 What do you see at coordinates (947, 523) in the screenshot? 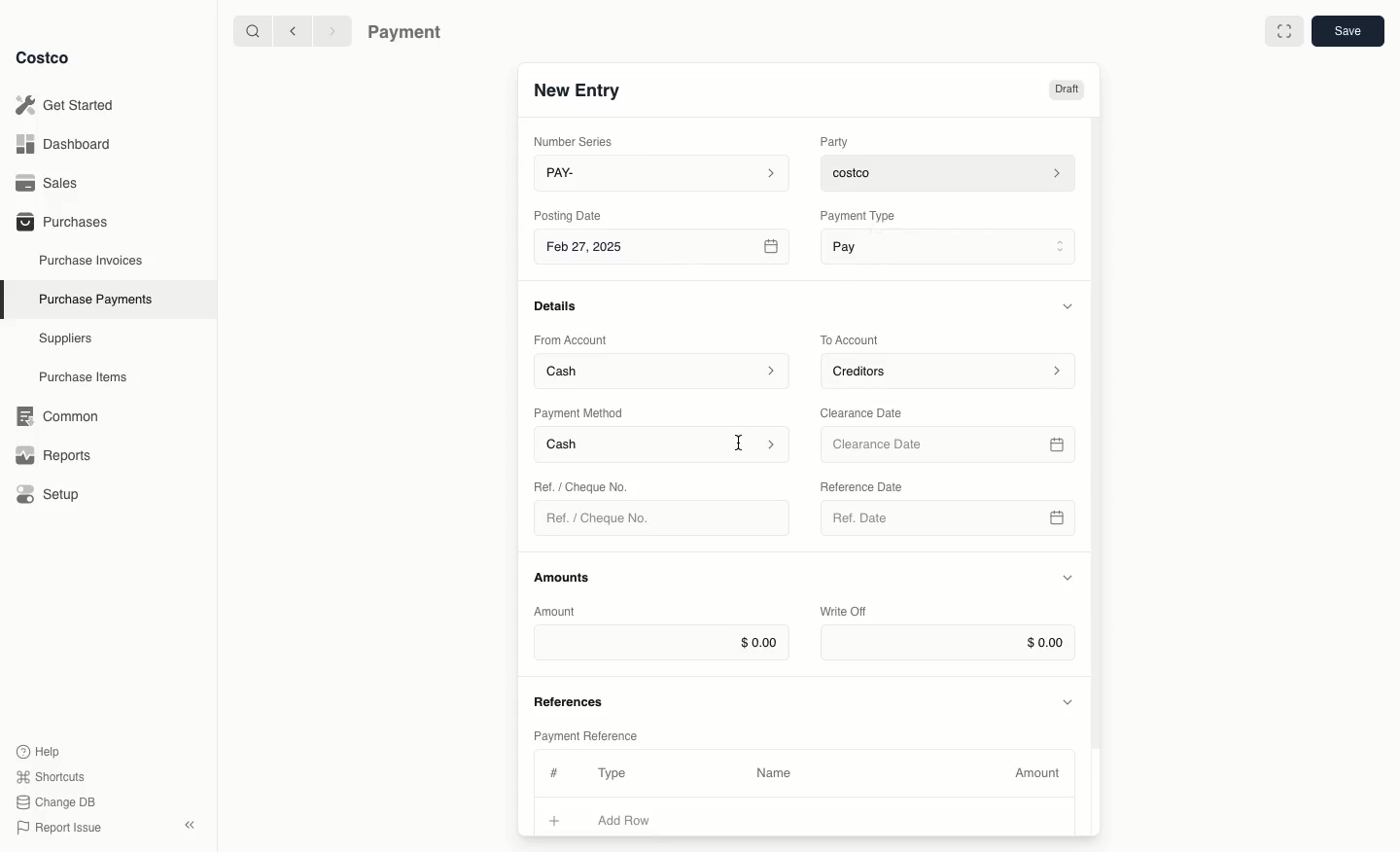
I see `Ref. Date` at bounding box center [947, 523].